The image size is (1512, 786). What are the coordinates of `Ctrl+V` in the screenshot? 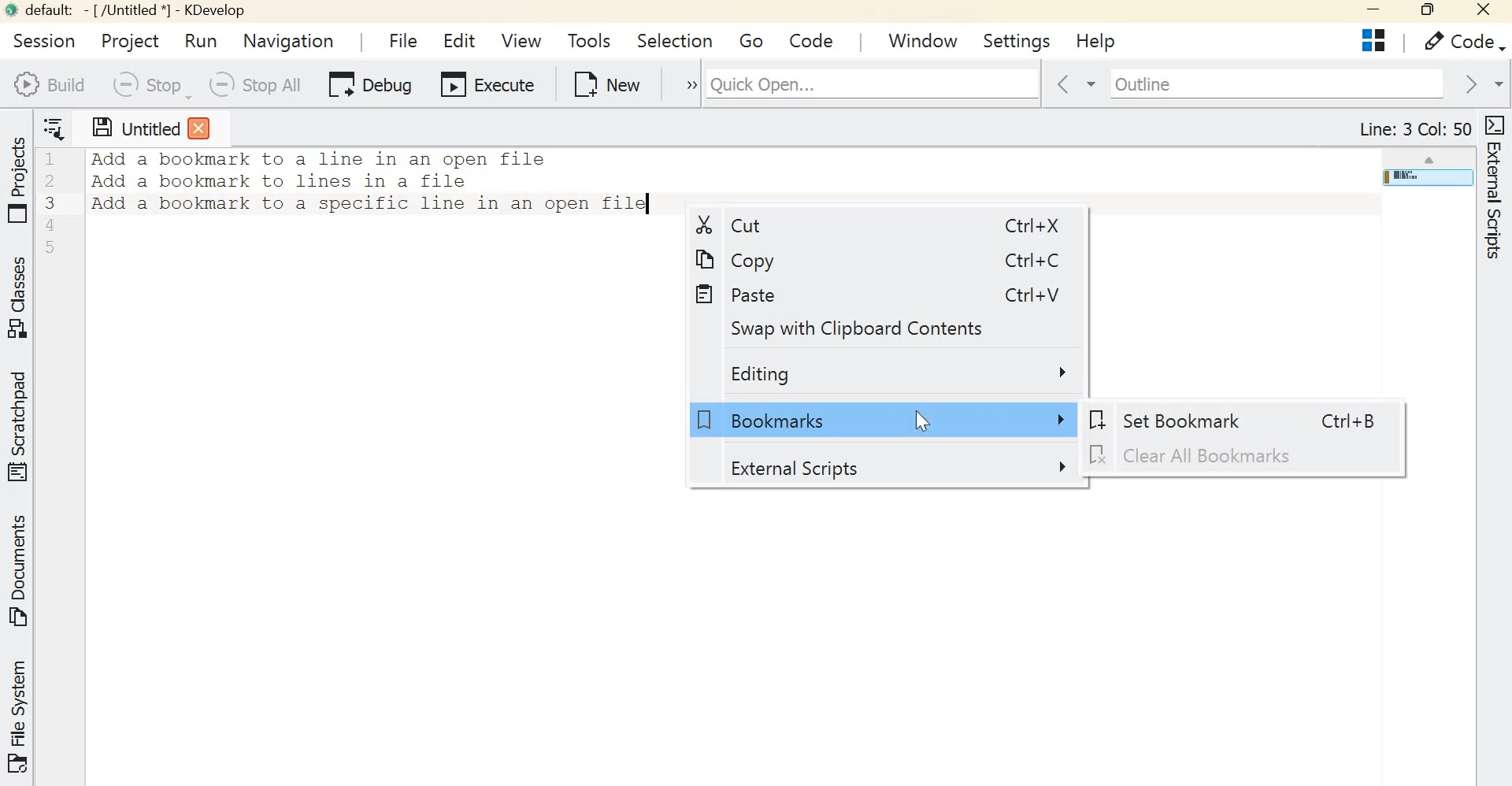 It's located at (1026, 295).